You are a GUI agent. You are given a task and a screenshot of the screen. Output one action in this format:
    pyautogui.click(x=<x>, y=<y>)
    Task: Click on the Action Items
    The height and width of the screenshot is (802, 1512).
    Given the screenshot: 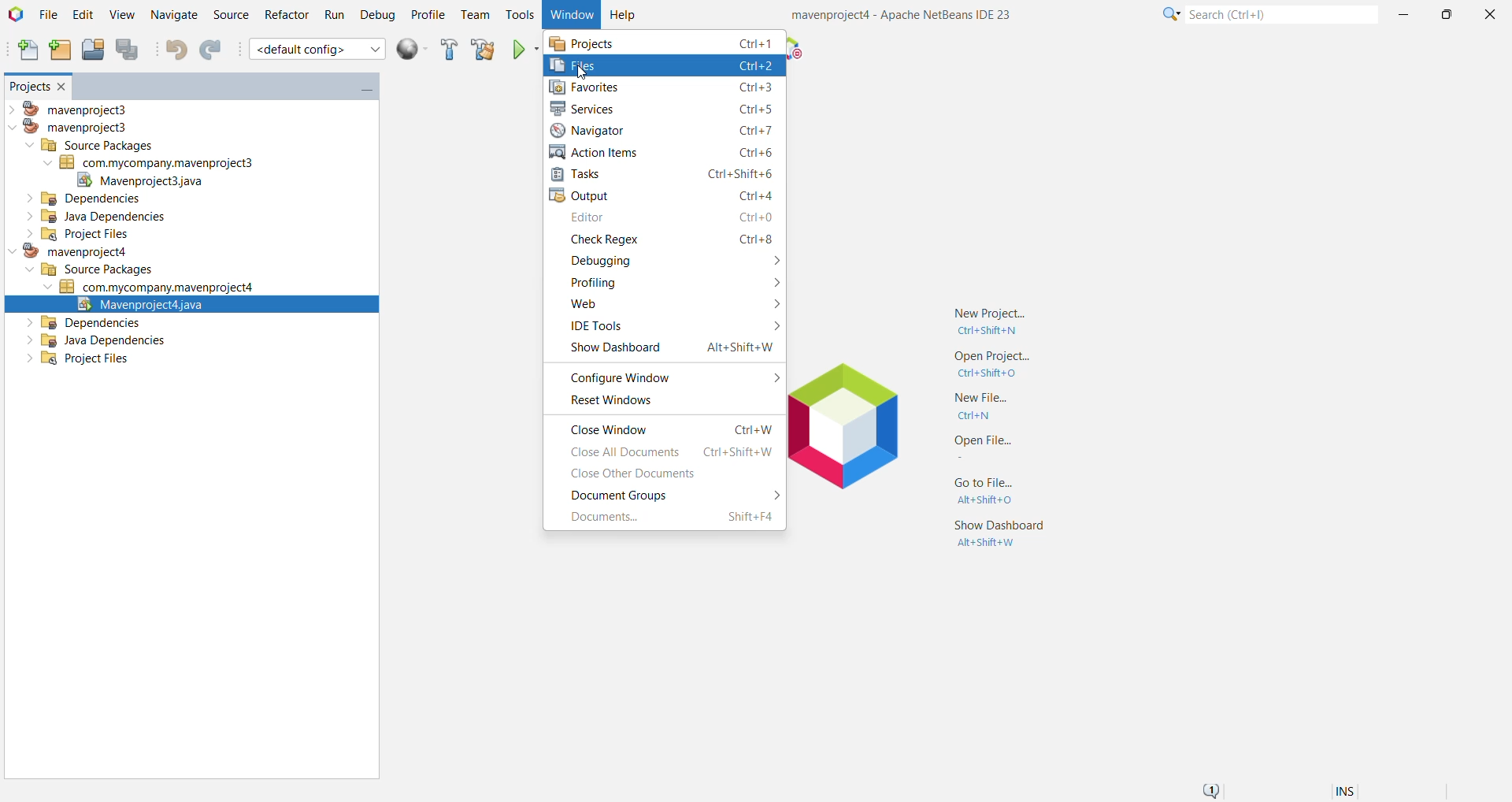 What is the action you would take?
    pyautogui.click(x=663, y=152)
    